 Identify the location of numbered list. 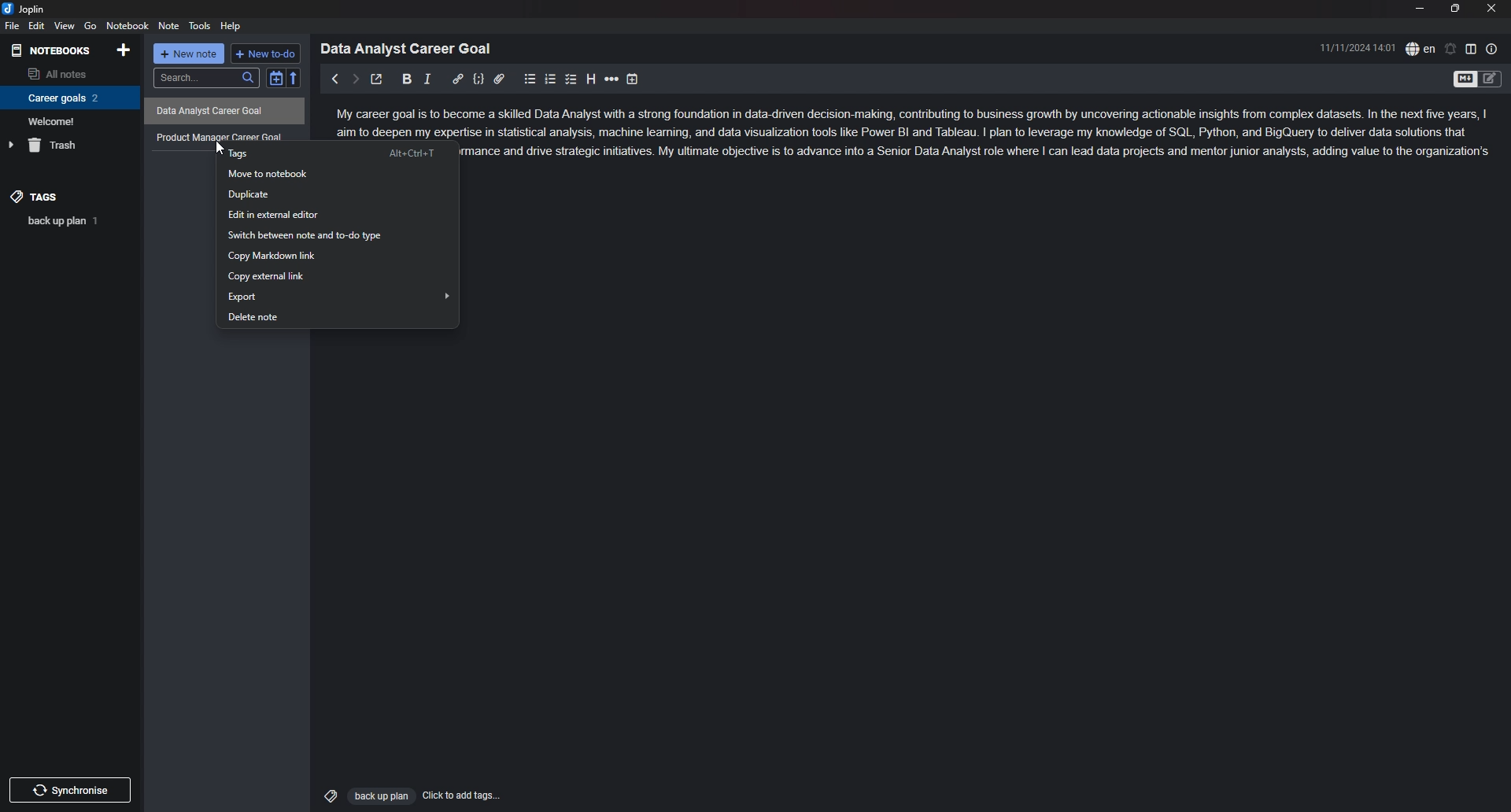
(551, 80).